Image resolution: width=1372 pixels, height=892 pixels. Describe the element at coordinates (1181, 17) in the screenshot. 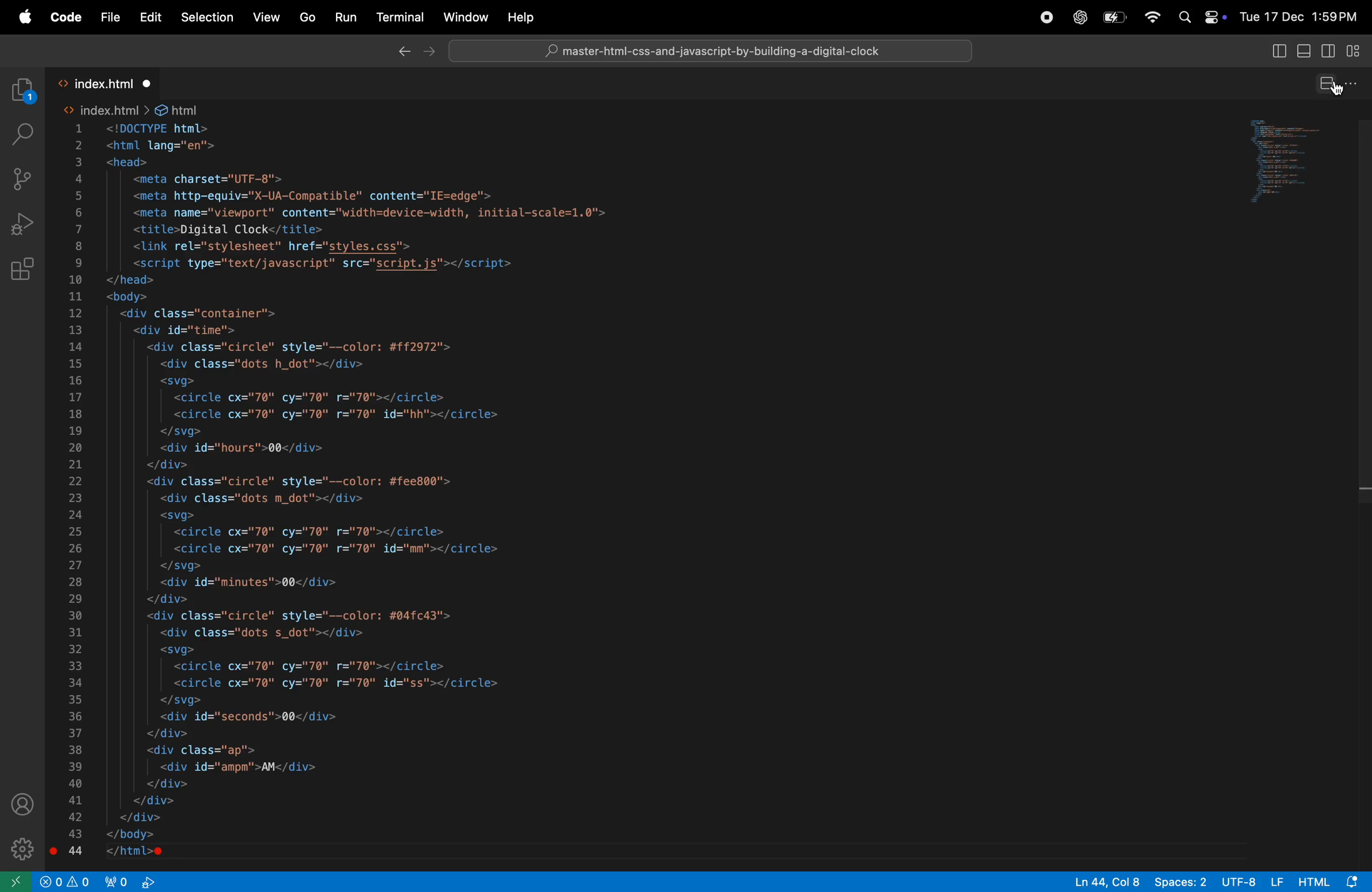

I see `Spotlight` at that location.